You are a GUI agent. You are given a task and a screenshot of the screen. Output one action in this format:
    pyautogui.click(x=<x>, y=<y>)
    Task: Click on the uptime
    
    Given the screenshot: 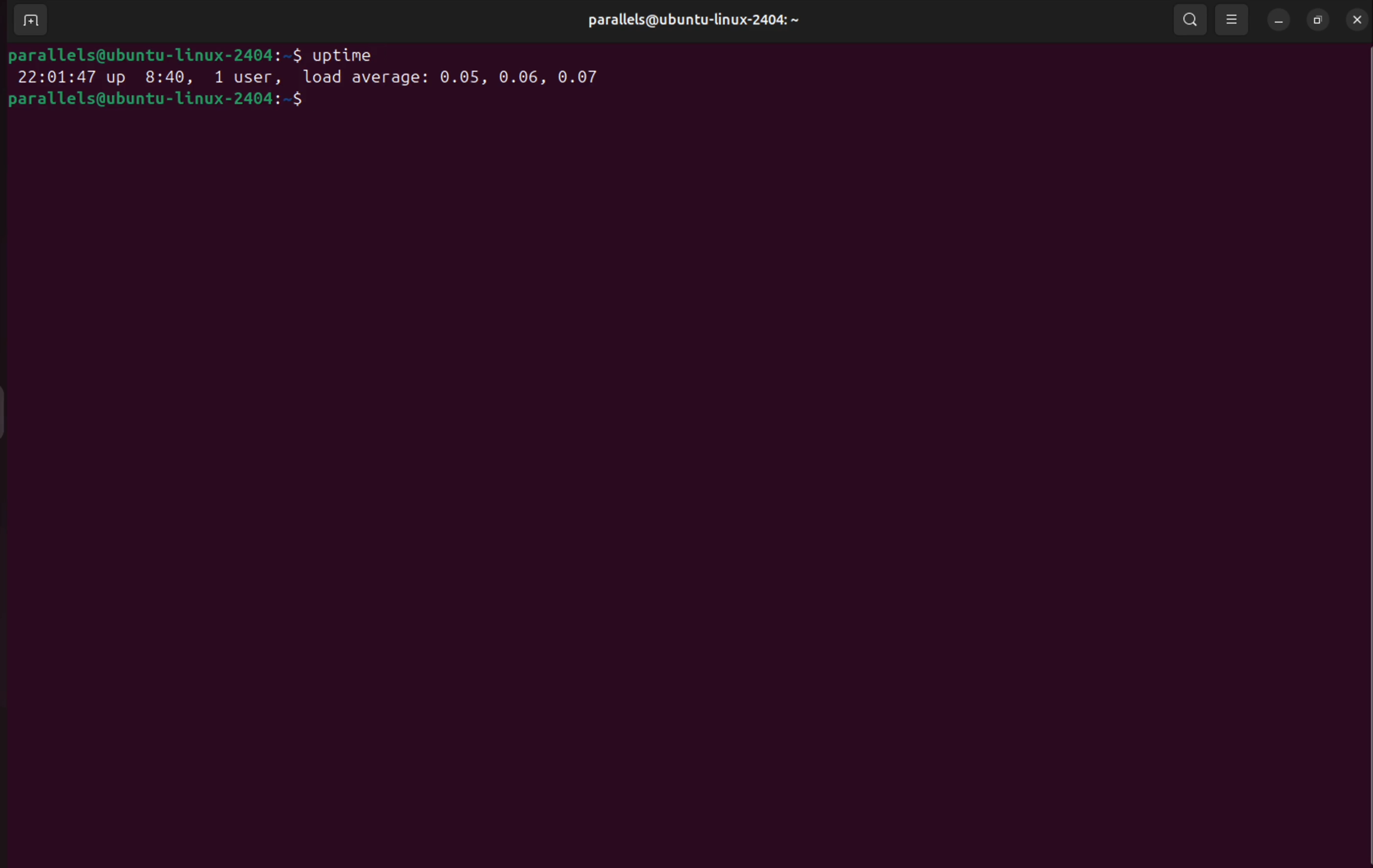 What is the action you would take?
    pyautogui.click(x=343, y=56)
    